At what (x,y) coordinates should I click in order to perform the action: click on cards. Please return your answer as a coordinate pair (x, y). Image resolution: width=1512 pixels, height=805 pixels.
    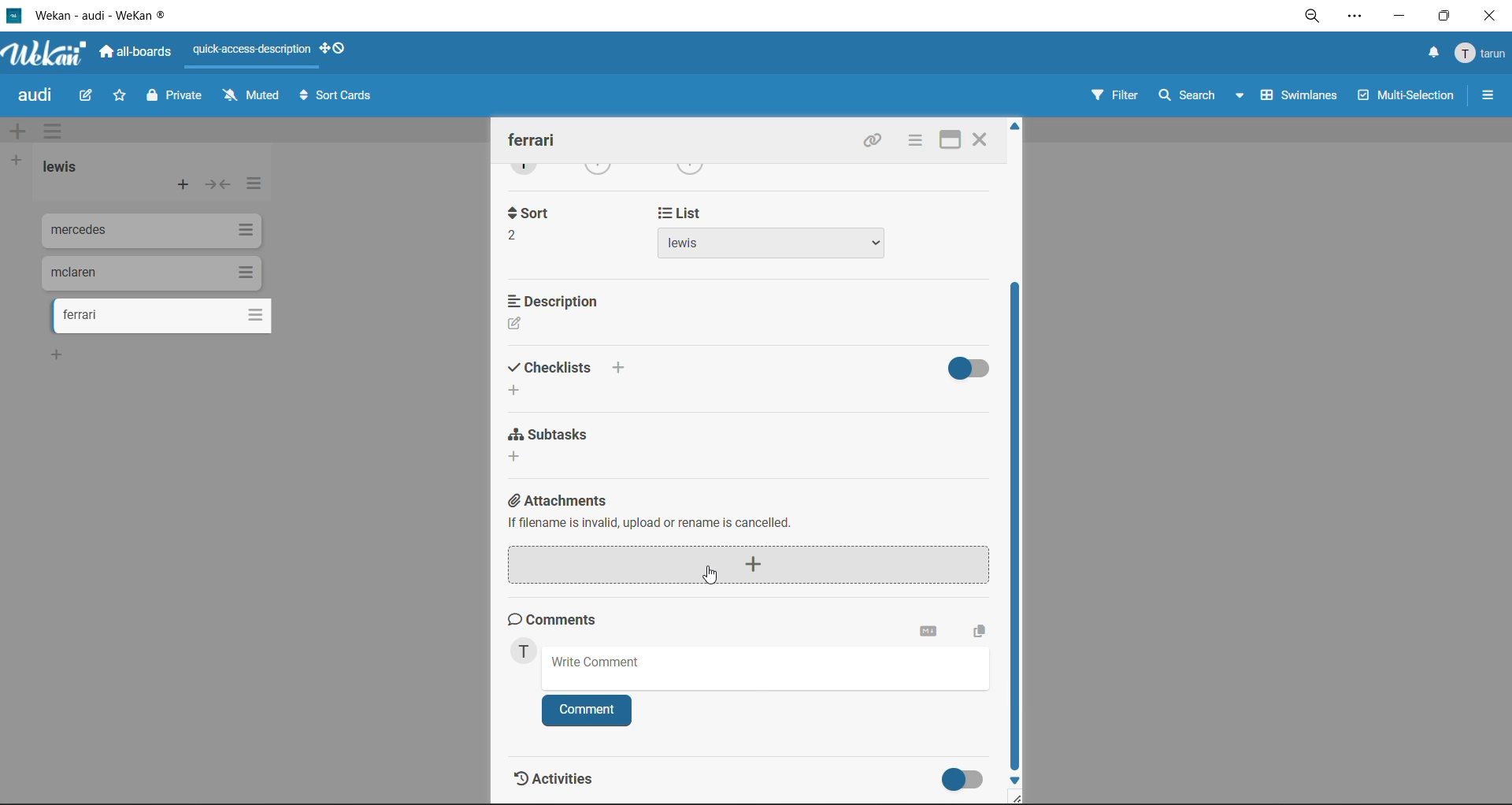
    Looking at the image, I should click on (147, 231).